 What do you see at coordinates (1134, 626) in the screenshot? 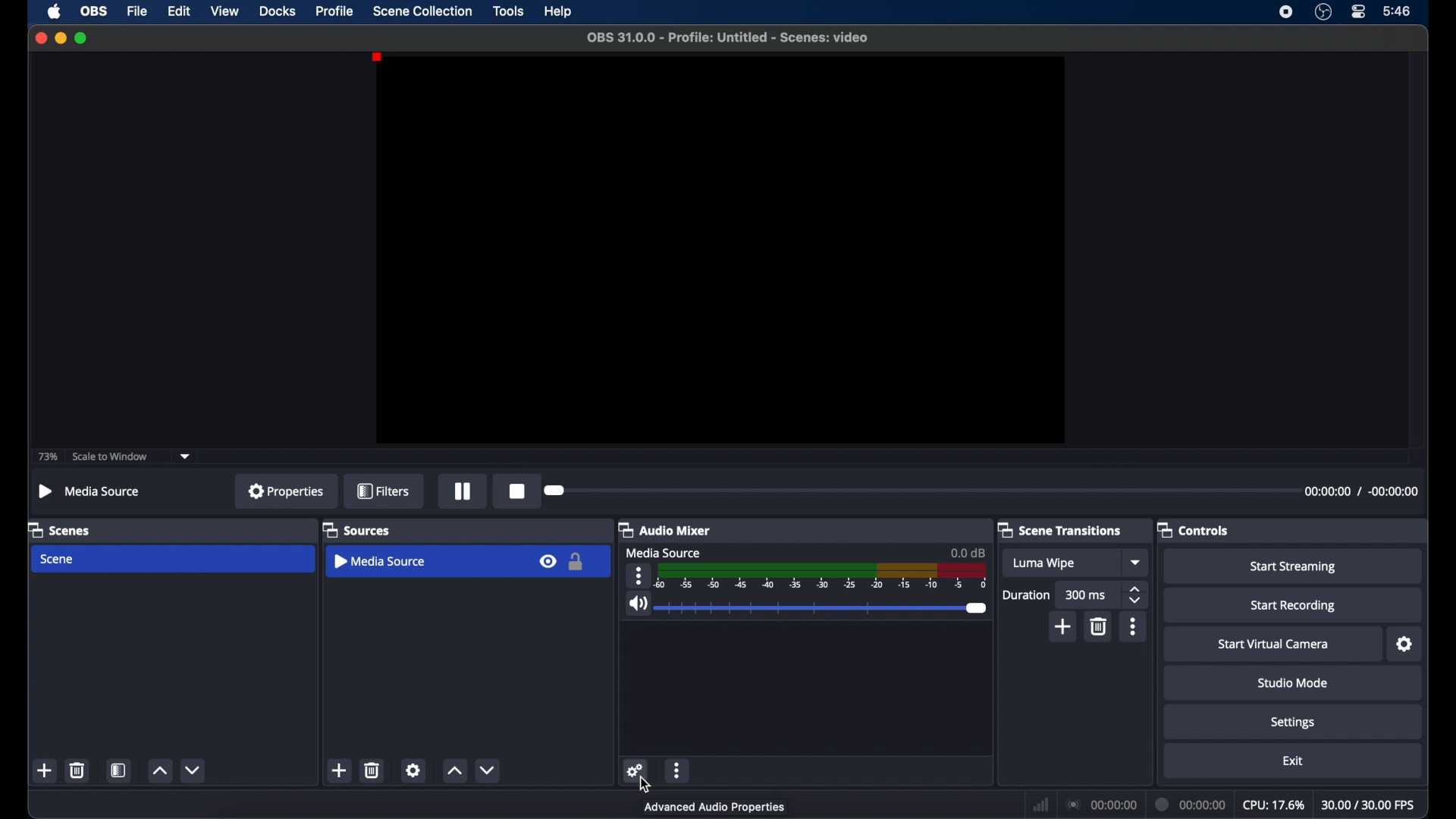
I see `more options` at bounding box center [1134, 626].